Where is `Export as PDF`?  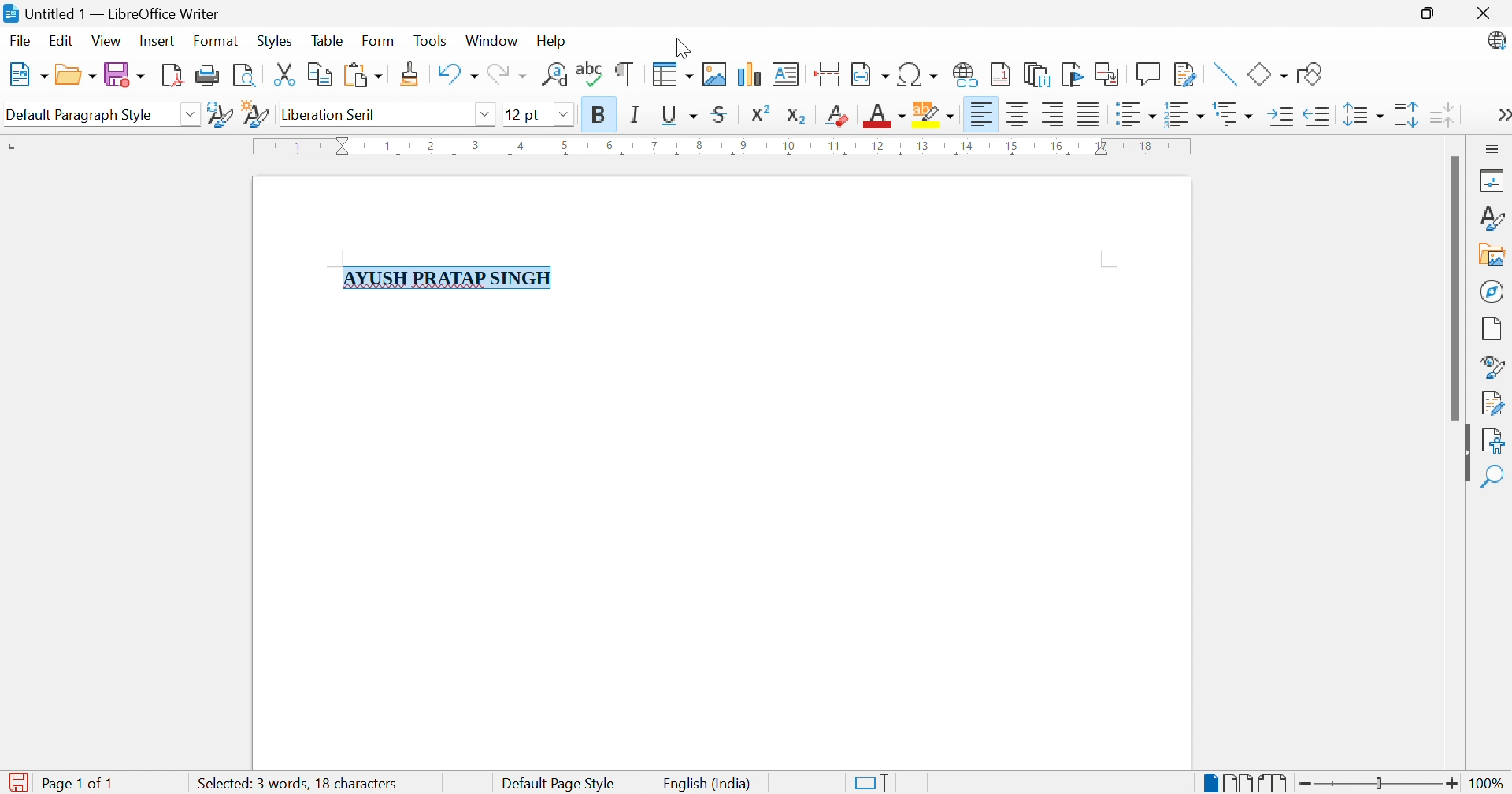 Export as PDF is located at coordinates (171, 76).